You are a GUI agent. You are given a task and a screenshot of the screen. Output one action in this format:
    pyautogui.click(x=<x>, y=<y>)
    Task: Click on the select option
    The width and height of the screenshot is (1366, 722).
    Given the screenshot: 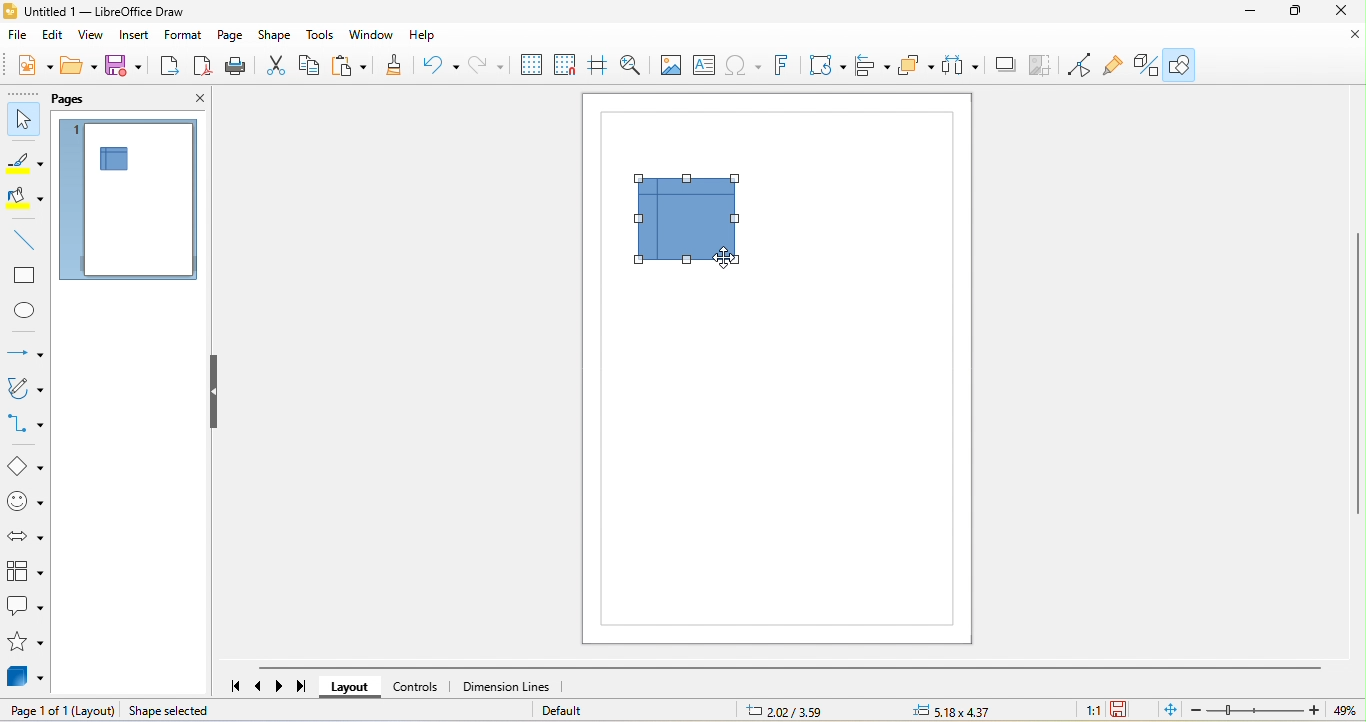 What is the action you would take?
    pyautogui.click(x=26, y=570)
    